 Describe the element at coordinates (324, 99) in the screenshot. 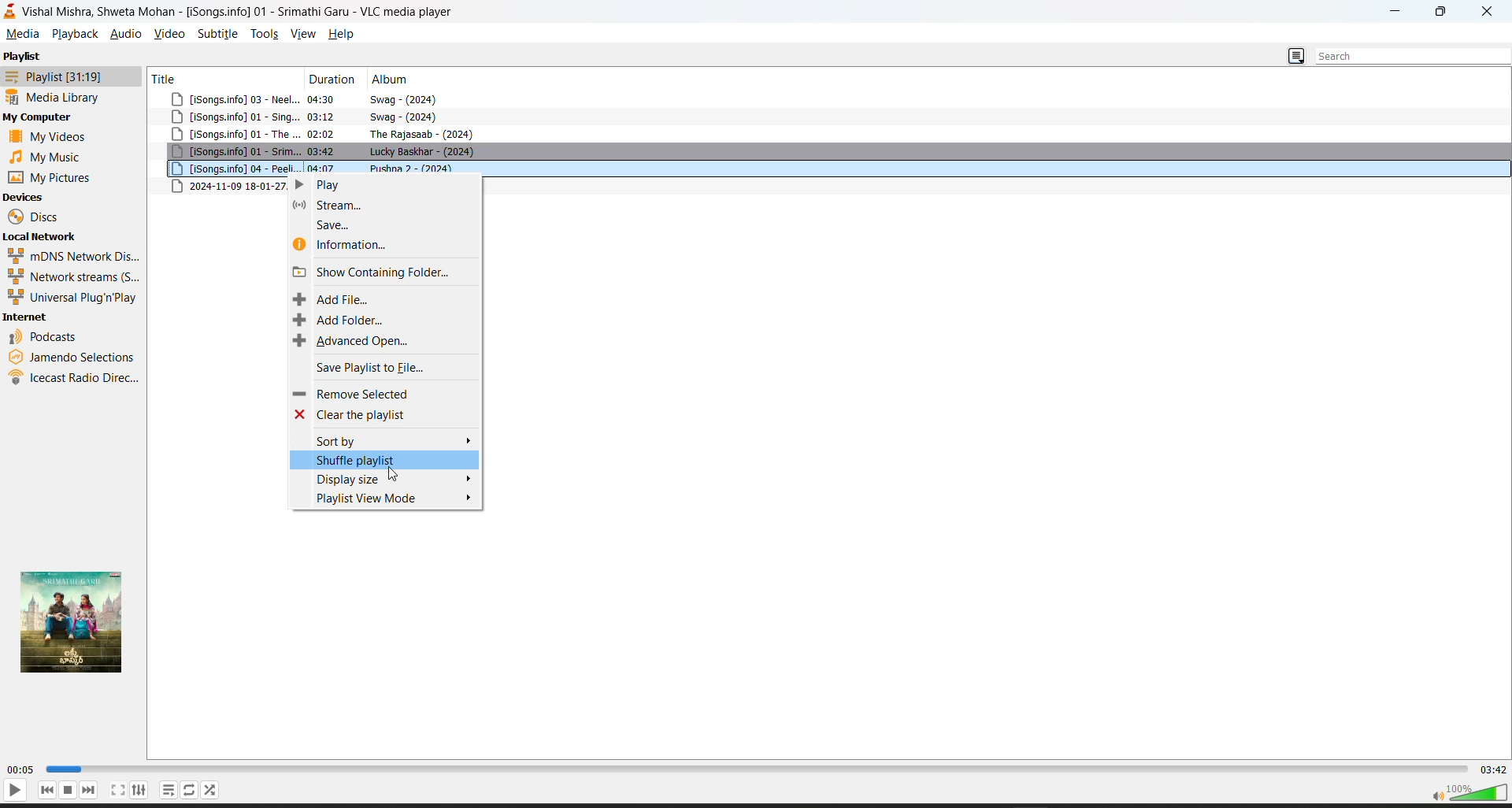

I see `04:30` at that location.